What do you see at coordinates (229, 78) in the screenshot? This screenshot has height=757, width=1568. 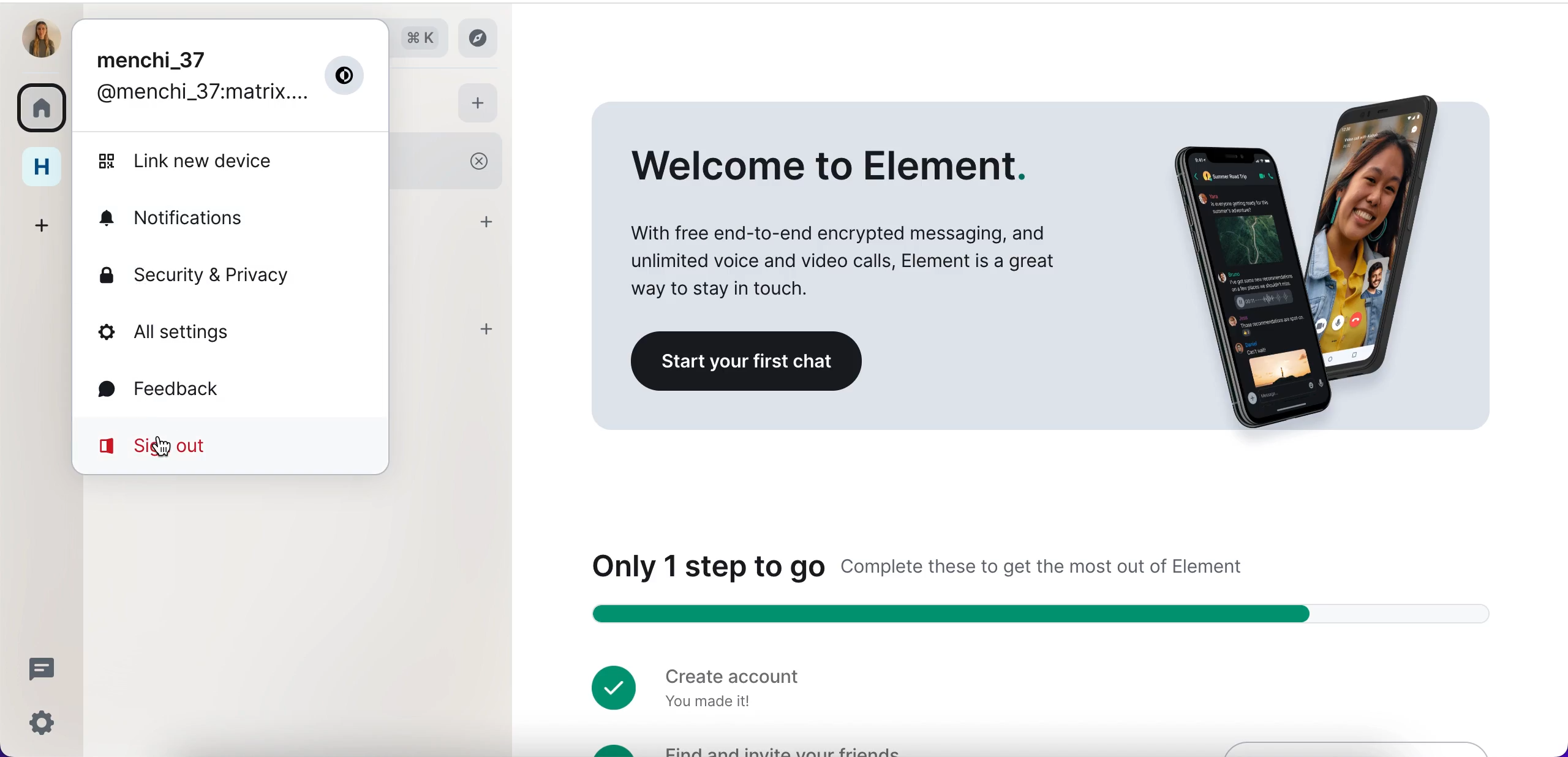 I see `menchi_37 @menchi_37.matrix.....` at bounding box center [229, 78].